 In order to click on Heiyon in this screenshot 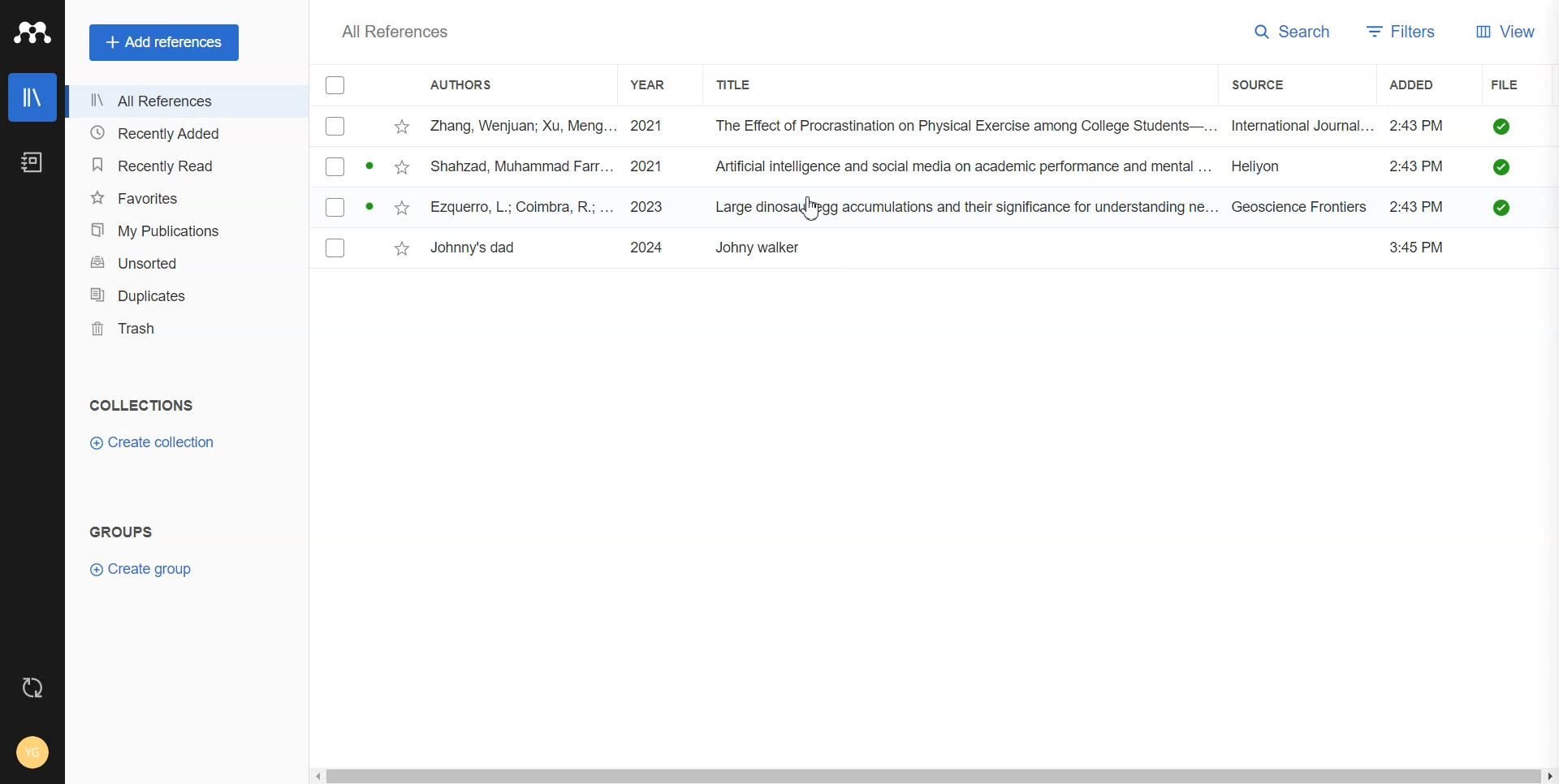, I will do `click(1302, 167)`.